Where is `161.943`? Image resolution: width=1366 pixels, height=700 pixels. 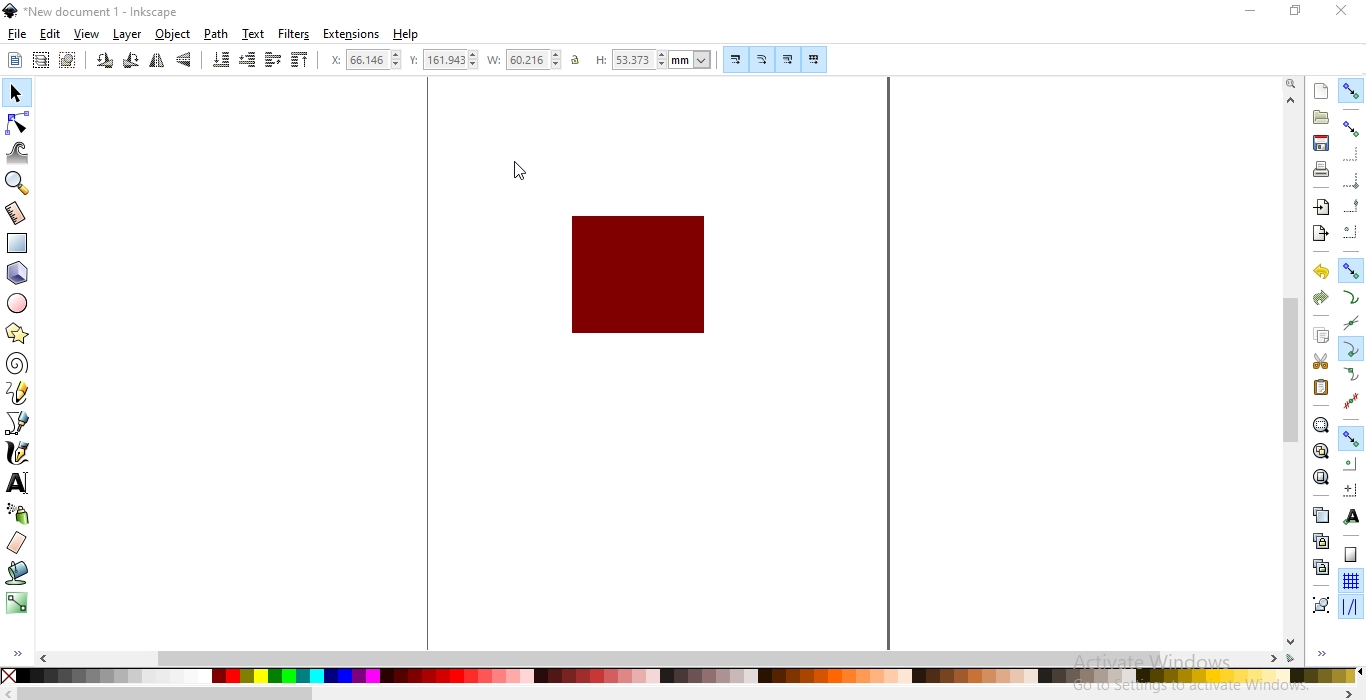
161.943 is located at coordinates (452, 60).